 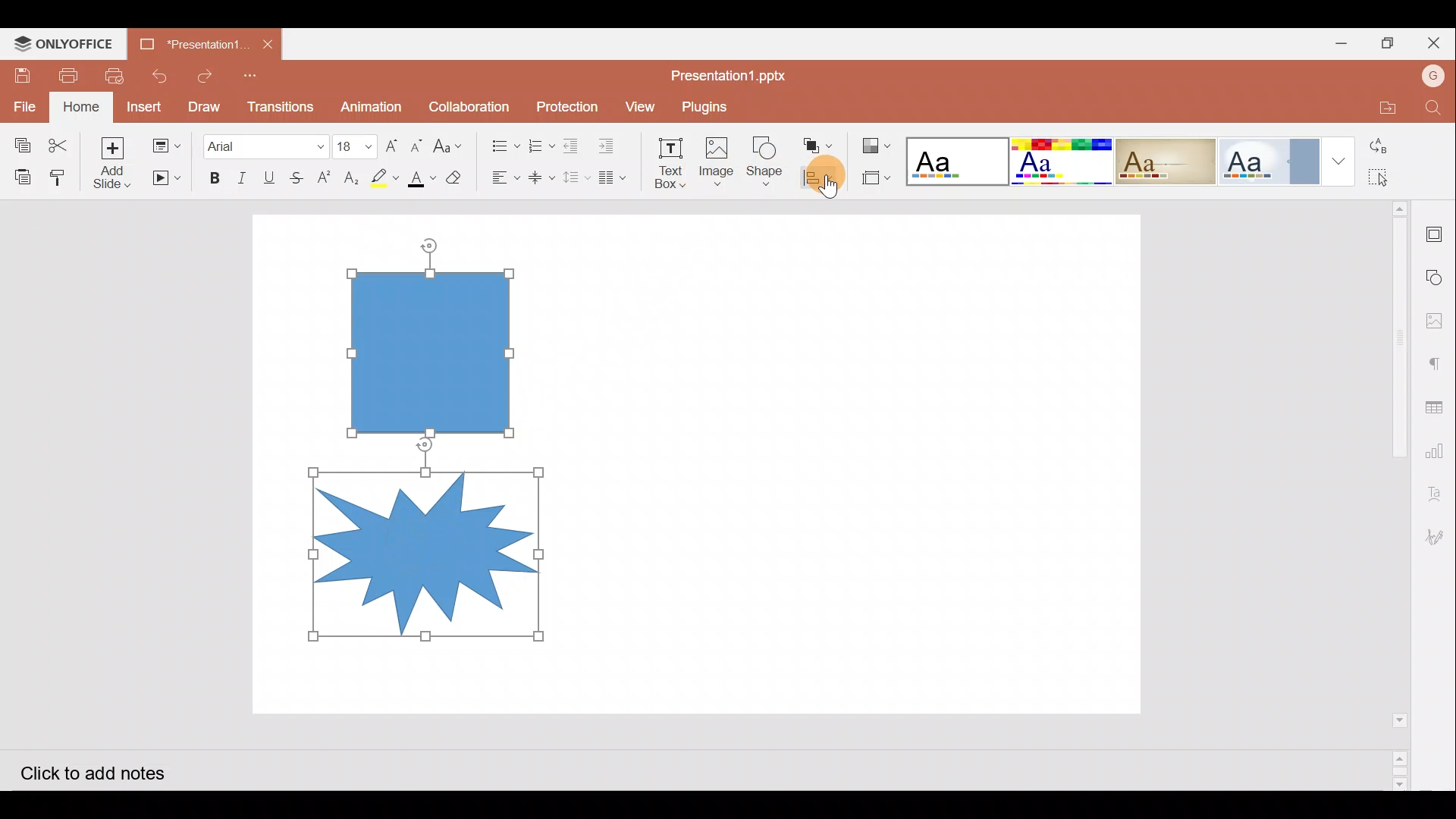 I want to click on Start slideshow, so click(x=165, y=178).